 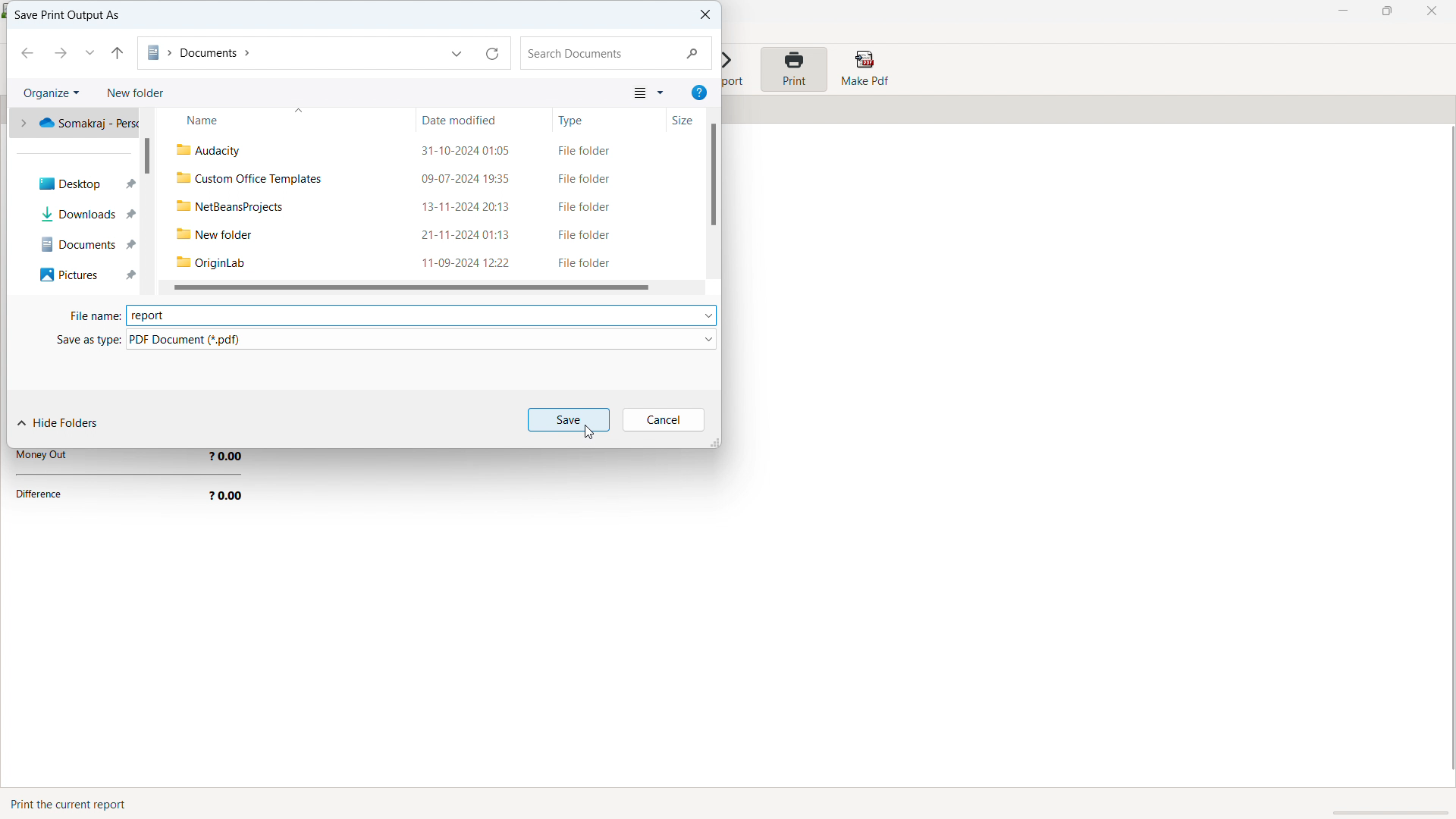 I want to click on help, so click(x=699, y=93).